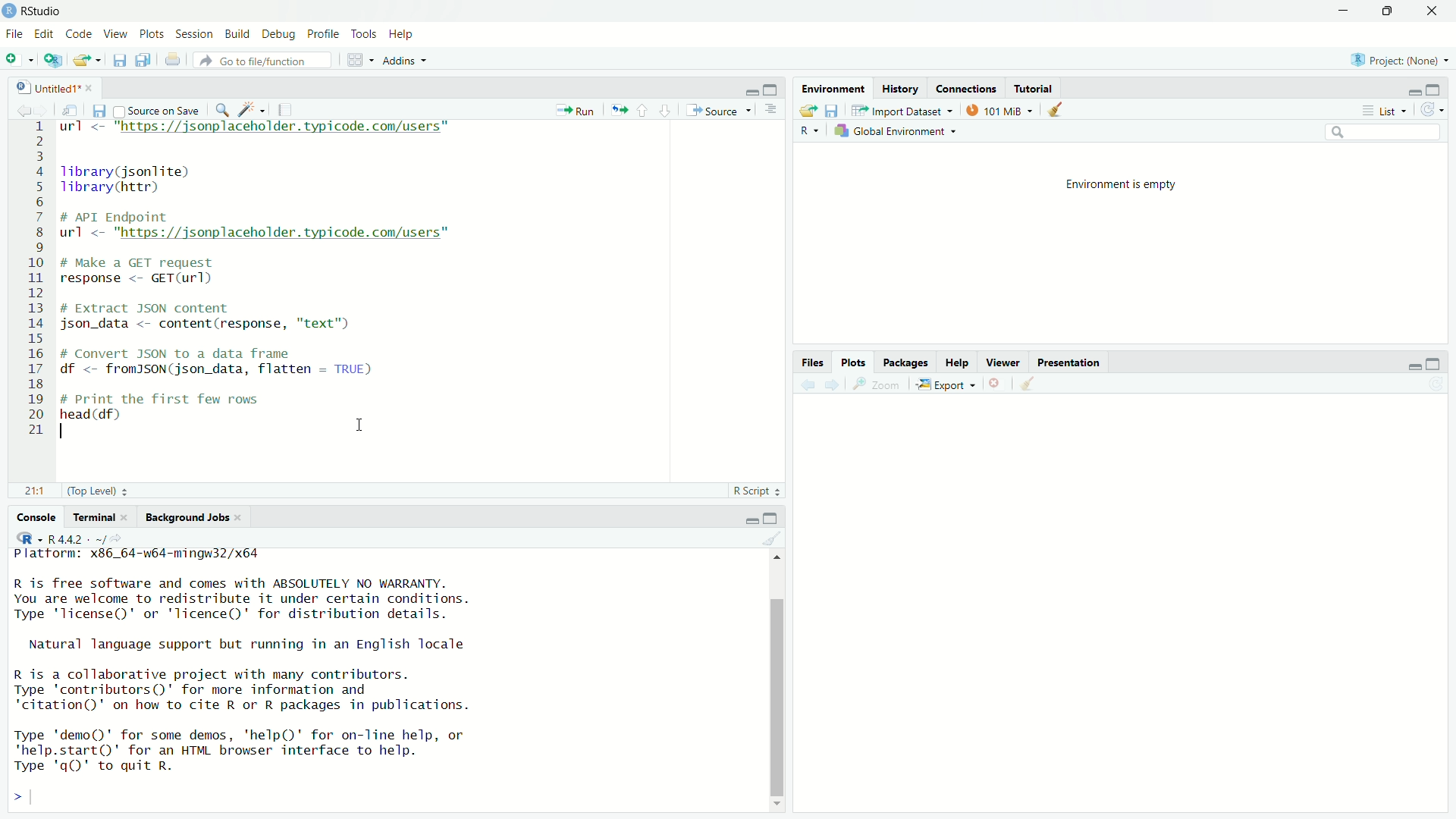 Image resolution: width=1456 pixels, height=819 pixels. I want to click on Addins , so click(407, 60).